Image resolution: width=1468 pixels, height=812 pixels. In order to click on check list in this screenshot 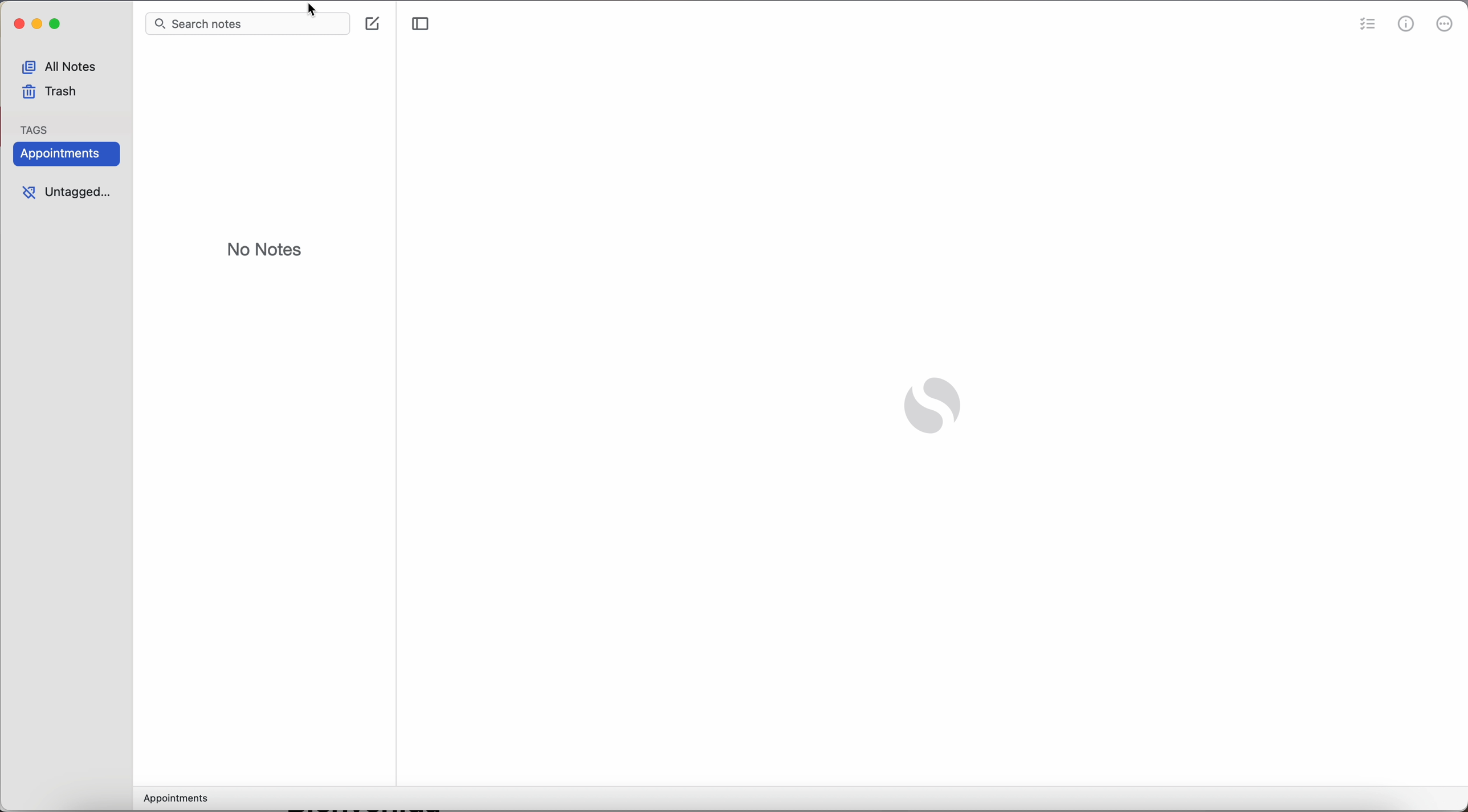, I will do `click(1368, 24)`.